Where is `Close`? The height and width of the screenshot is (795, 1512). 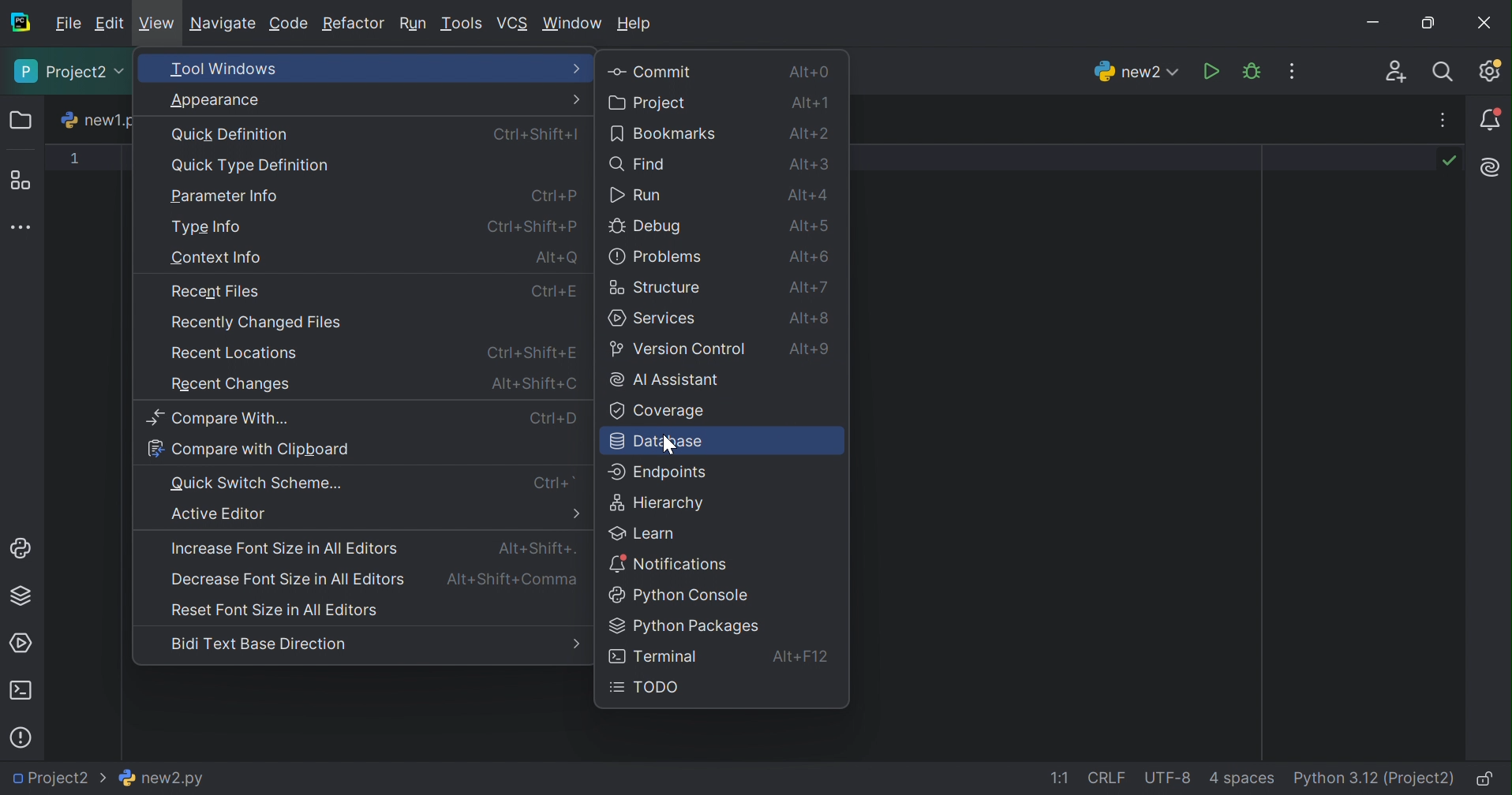 Close is located at coordinates (1487, 24).